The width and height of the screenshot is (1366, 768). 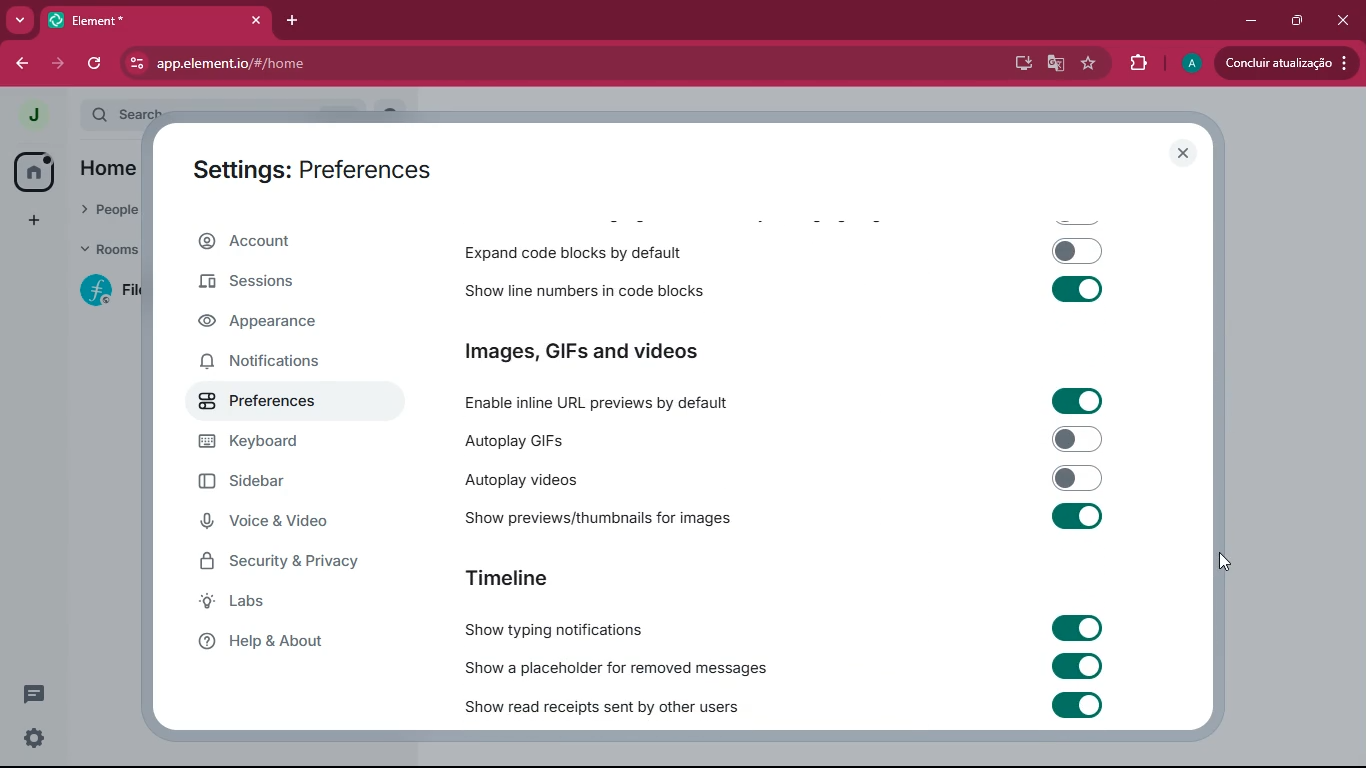 I want to click on sessions, so click(x=278, y=283).